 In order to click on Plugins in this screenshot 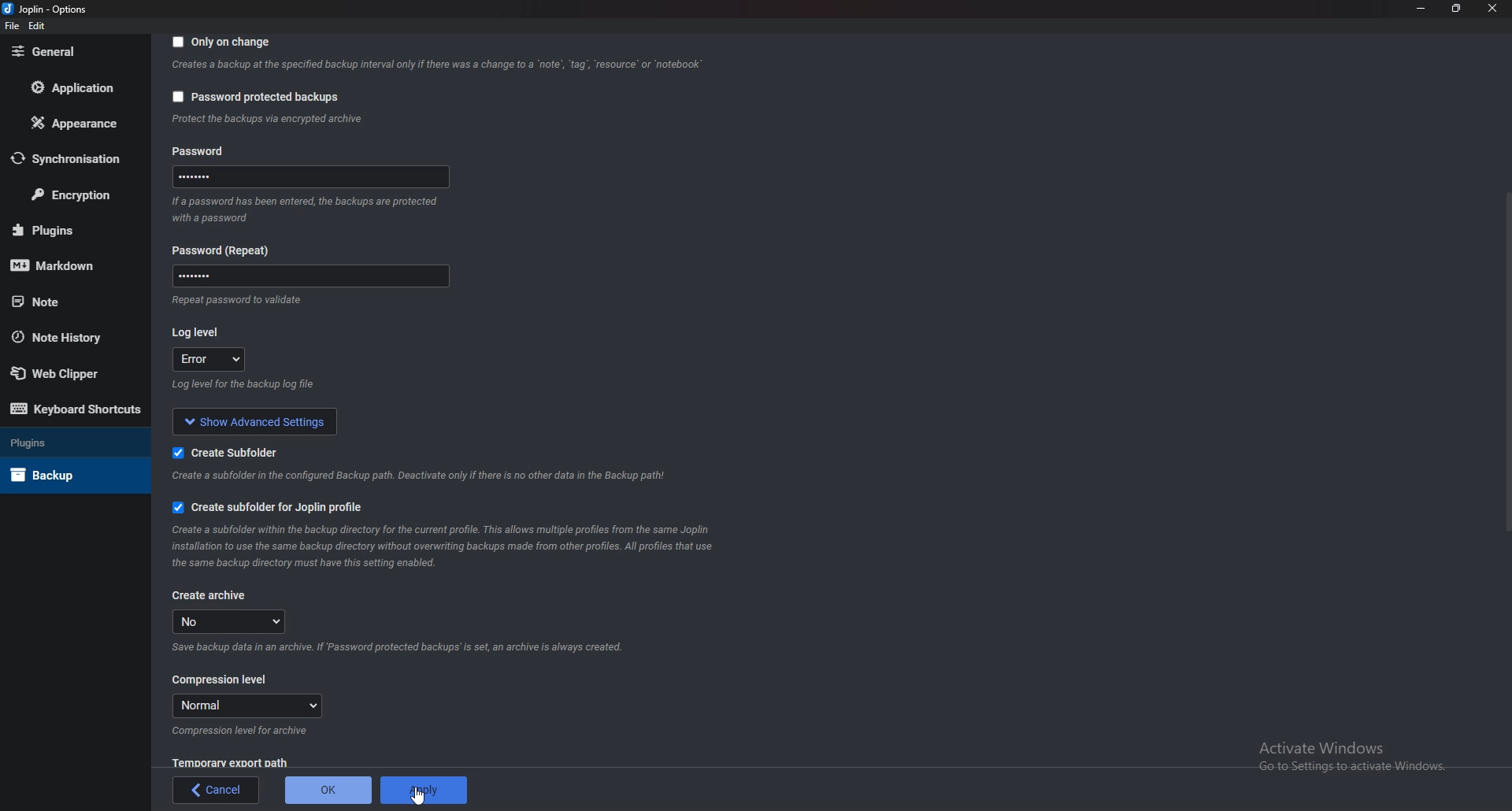, I will do `click(67, 444)`.